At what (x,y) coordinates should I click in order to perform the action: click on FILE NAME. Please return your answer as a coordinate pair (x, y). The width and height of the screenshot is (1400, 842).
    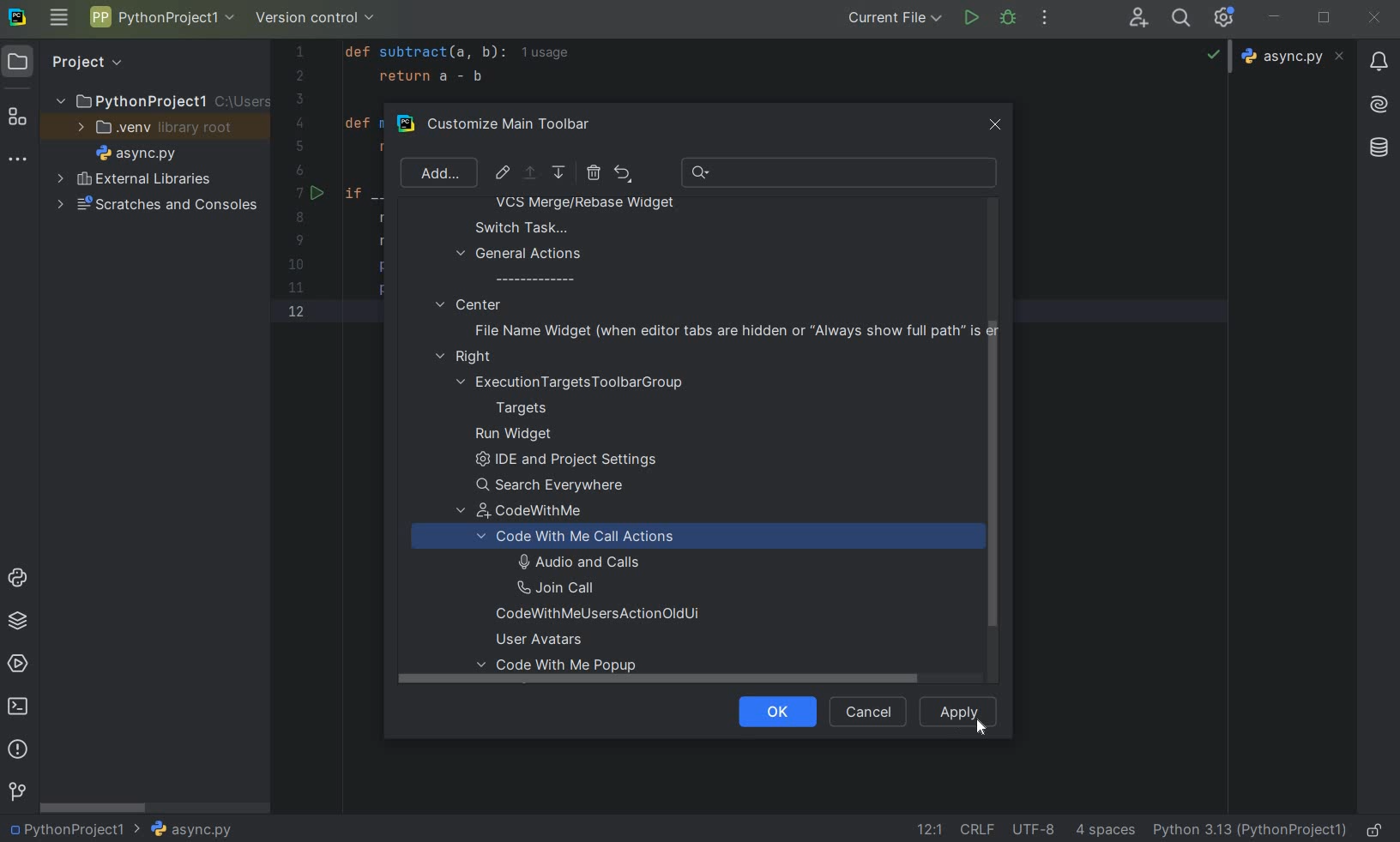
    Looking at the image, I should click on (190, 830).